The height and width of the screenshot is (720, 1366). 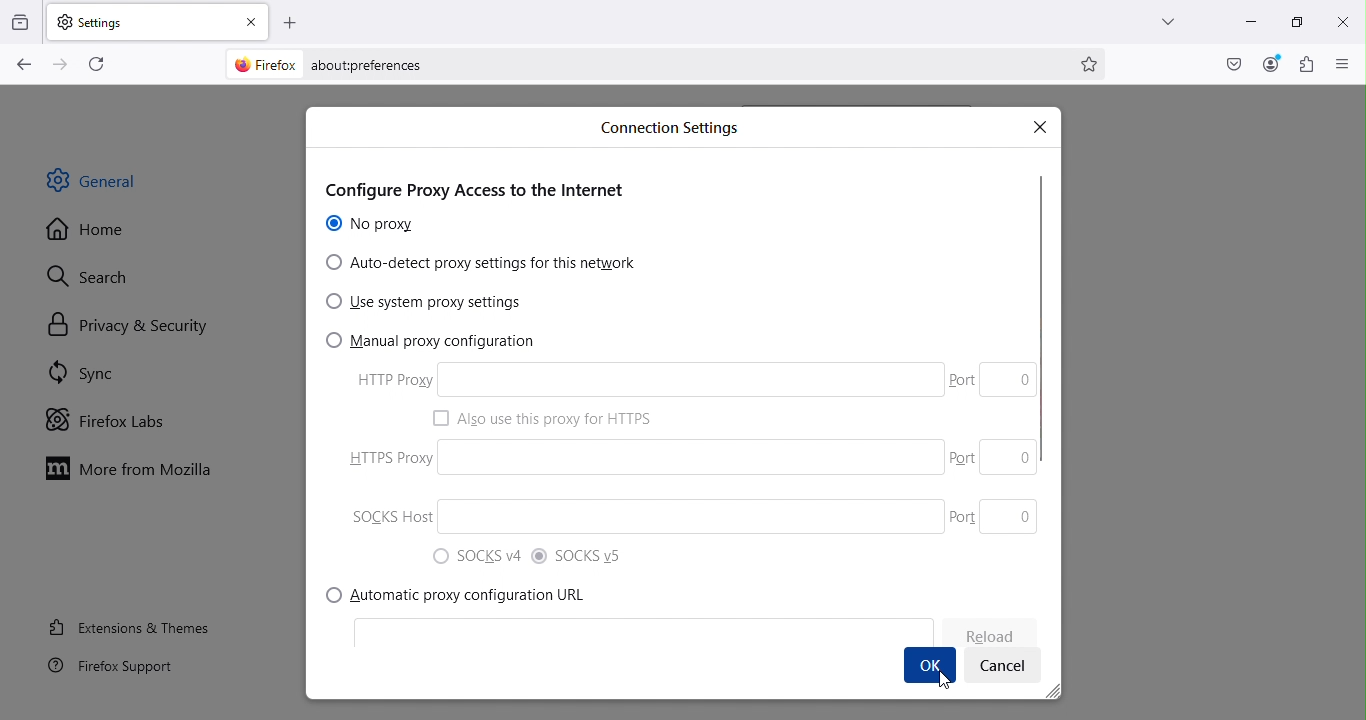 I want to click on List all tabs, so click(x=1158, y=19).